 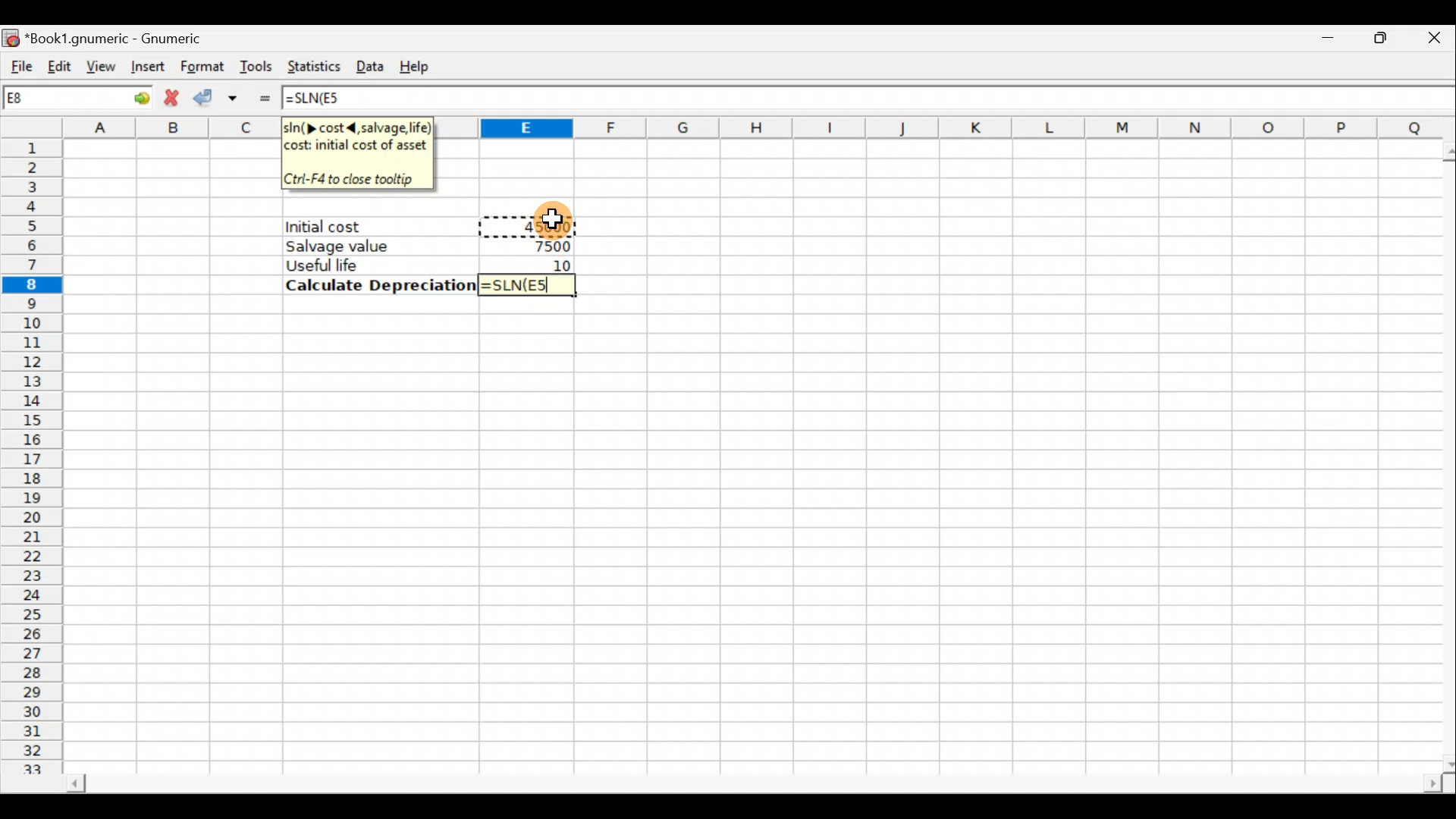 I want to click on Accept change, so click(x=219, y=96).